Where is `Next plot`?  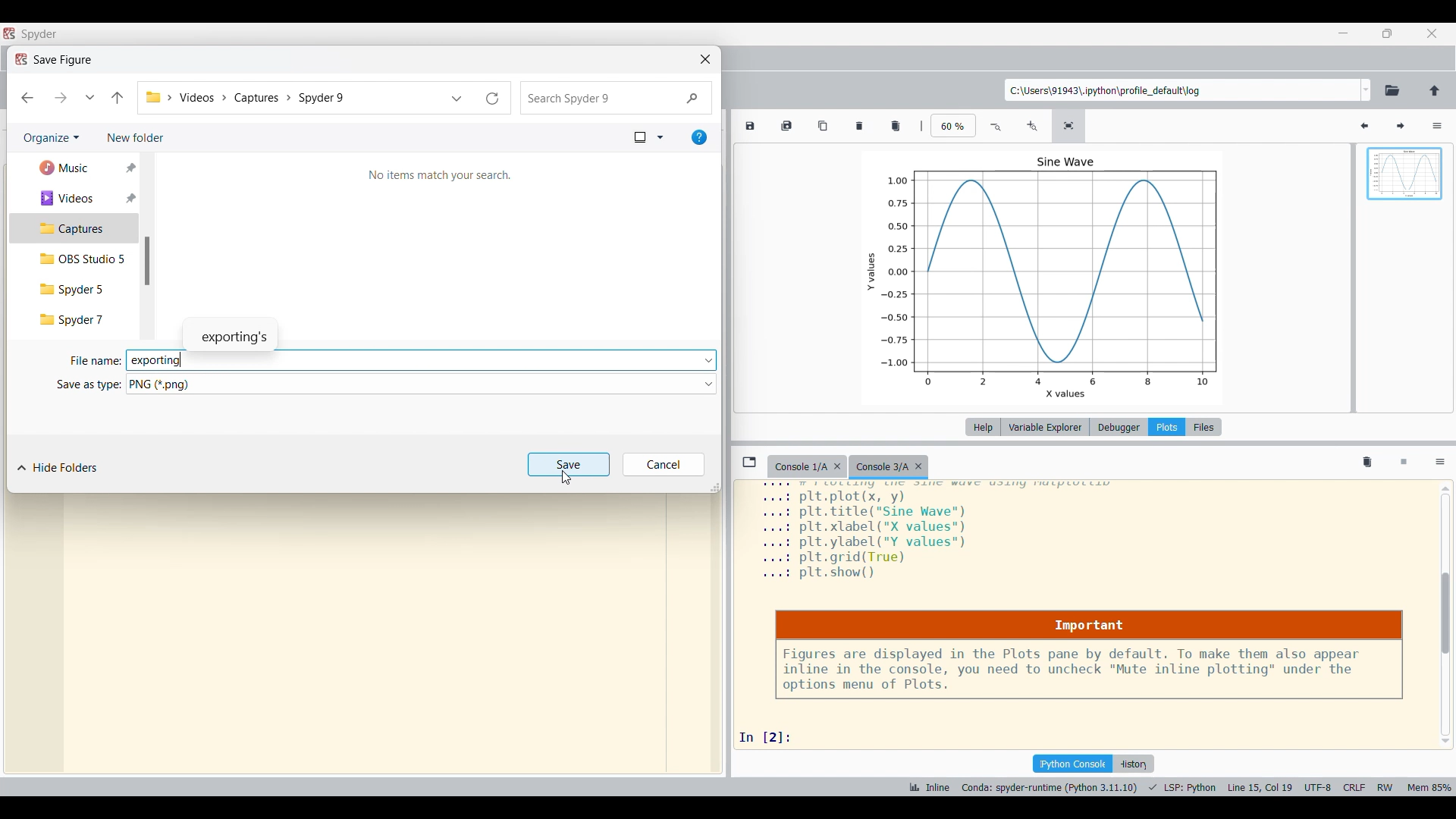
Next plot is located at coordinates (1400, 127).